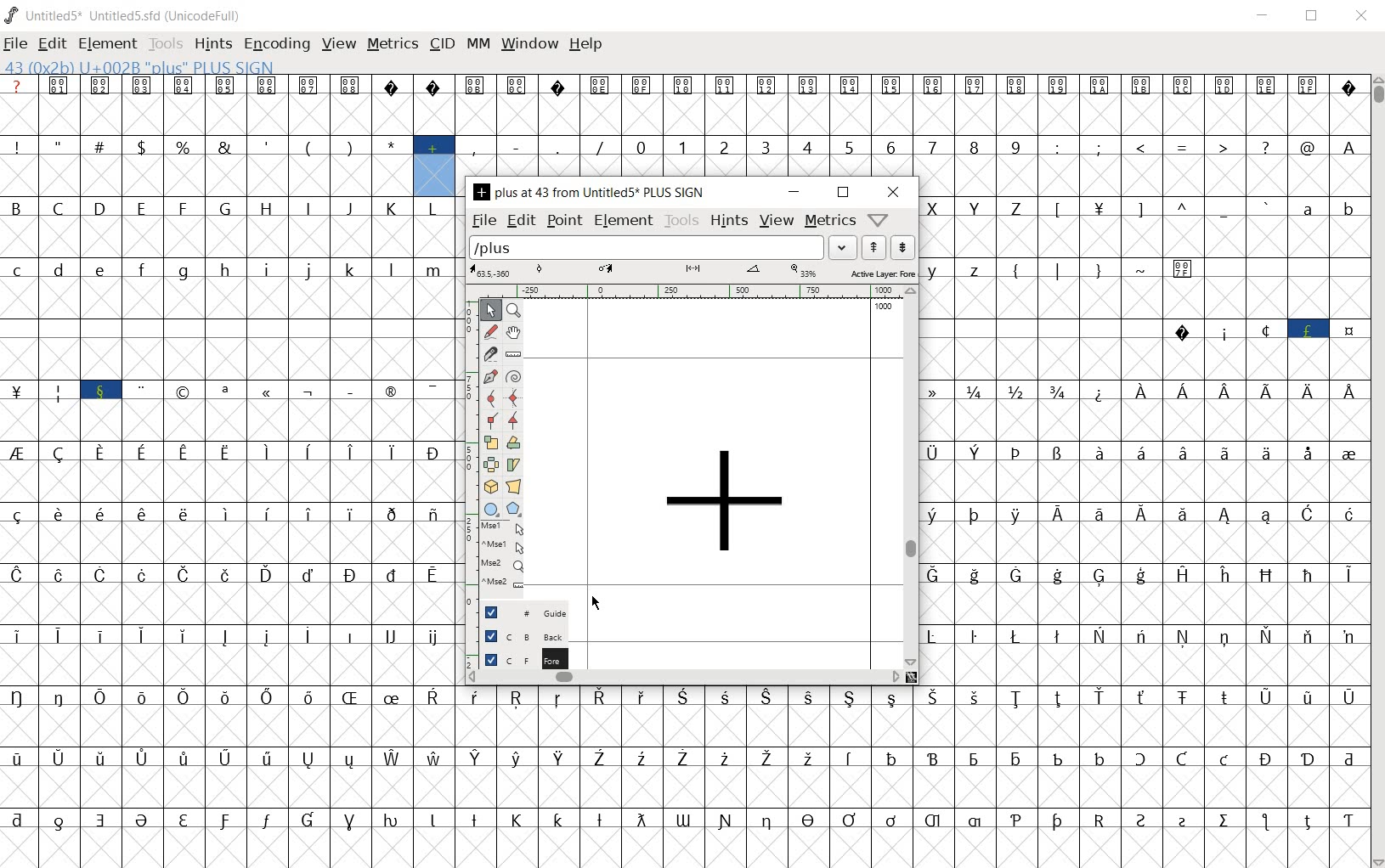 The image size is (1385, 868). I want to click on mm, so click(476, 42).